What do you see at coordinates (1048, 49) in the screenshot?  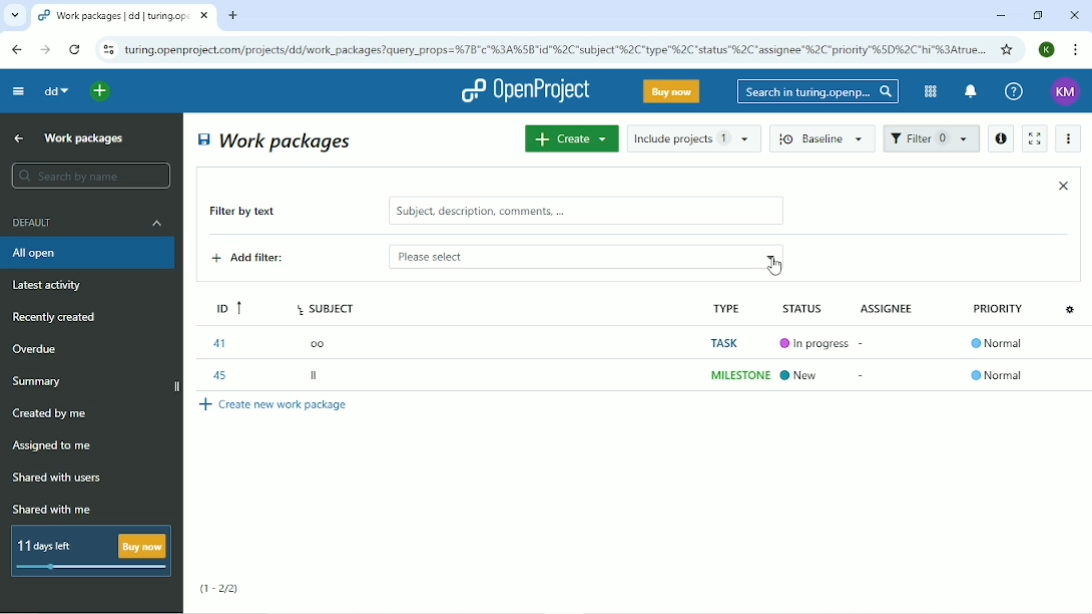 I see `Account` at bounding box center [1048, 49].